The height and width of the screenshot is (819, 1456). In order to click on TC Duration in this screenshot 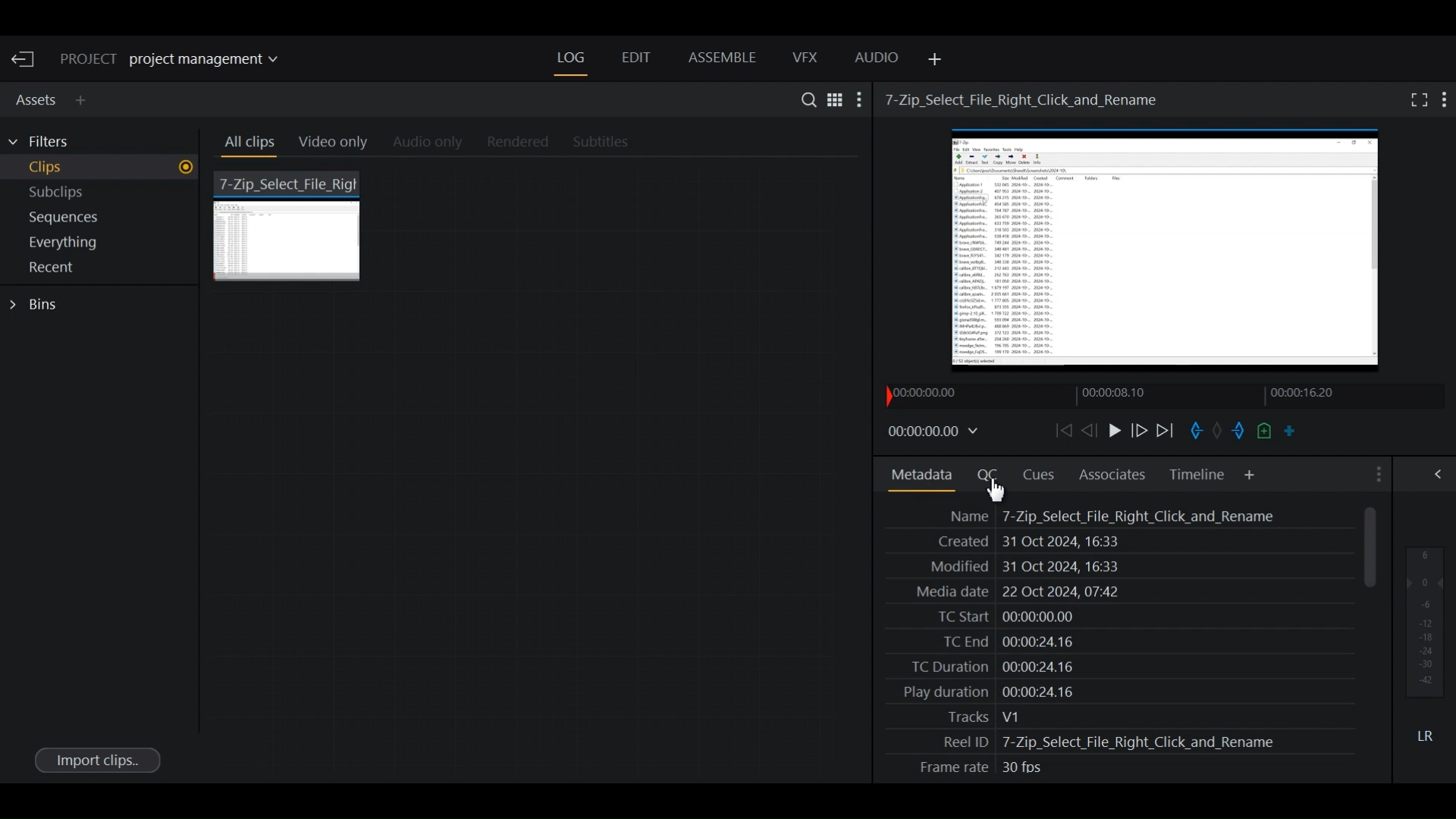, I will do `click(1097, 668)`.